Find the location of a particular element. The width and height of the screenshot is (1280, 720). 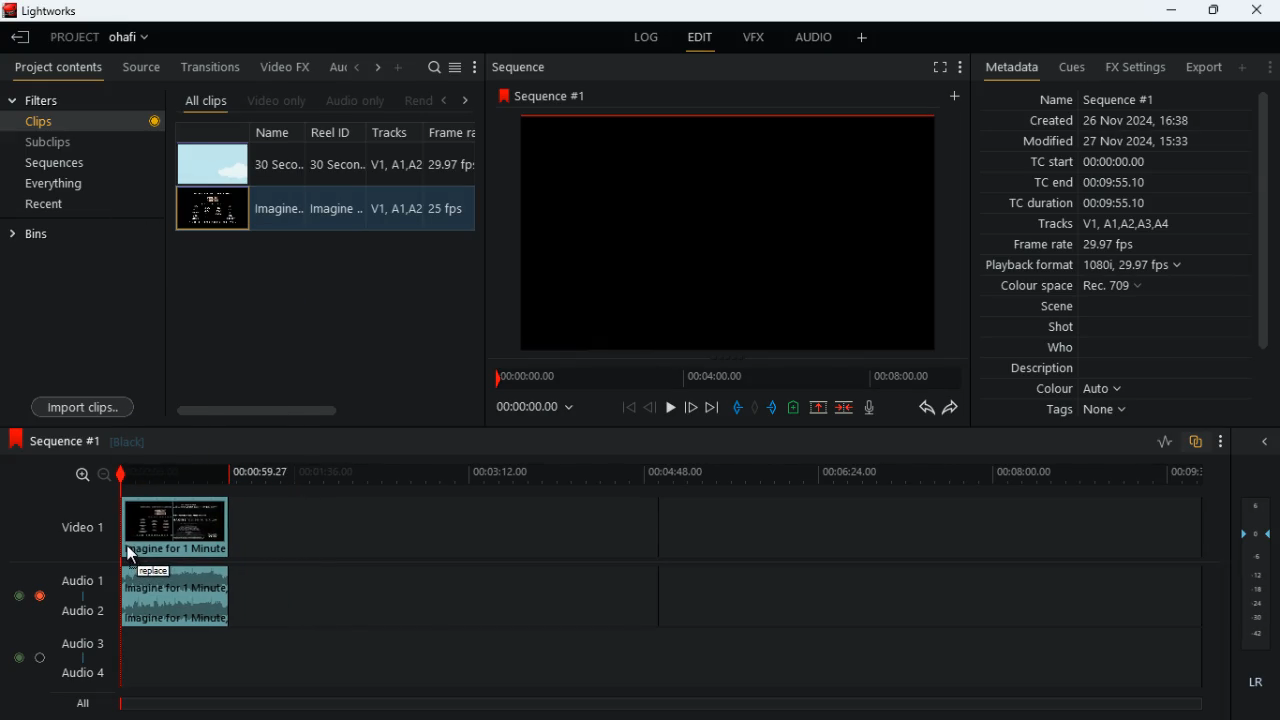

timeline is located at coordinates (722, 378).